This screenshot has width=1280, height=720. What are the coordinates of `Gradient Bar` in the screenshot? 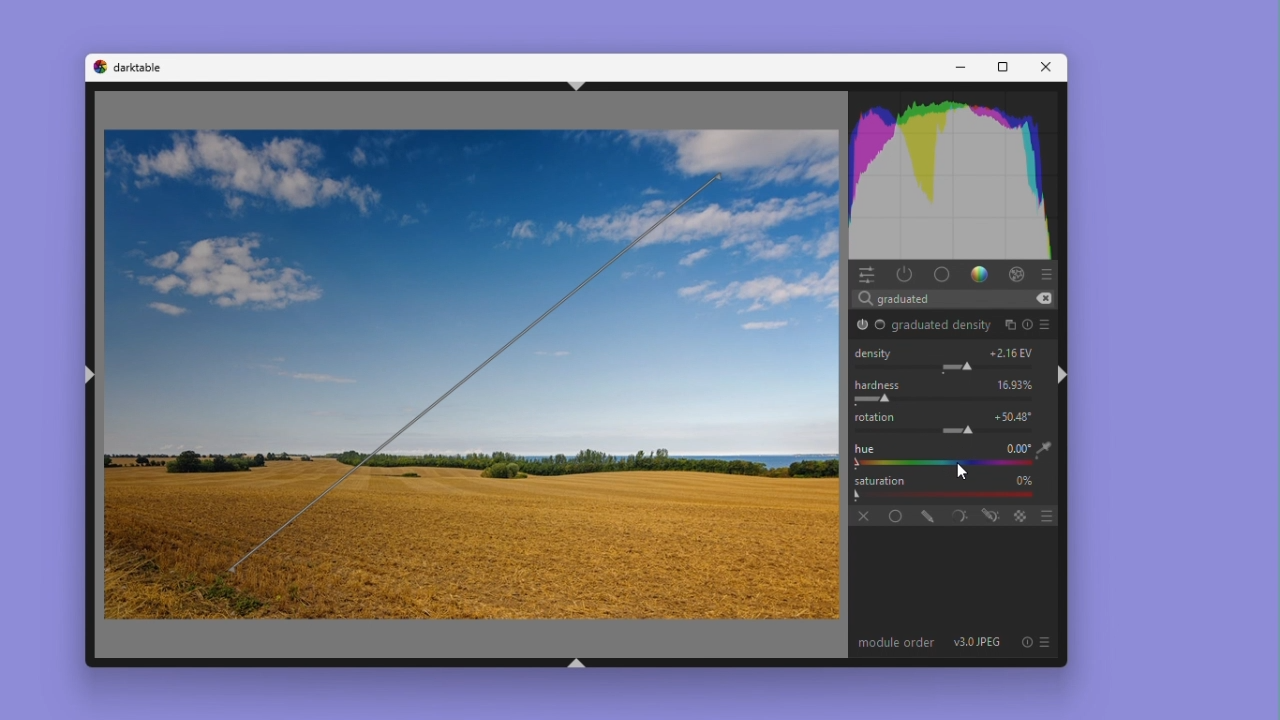 It's located at (940, 495).